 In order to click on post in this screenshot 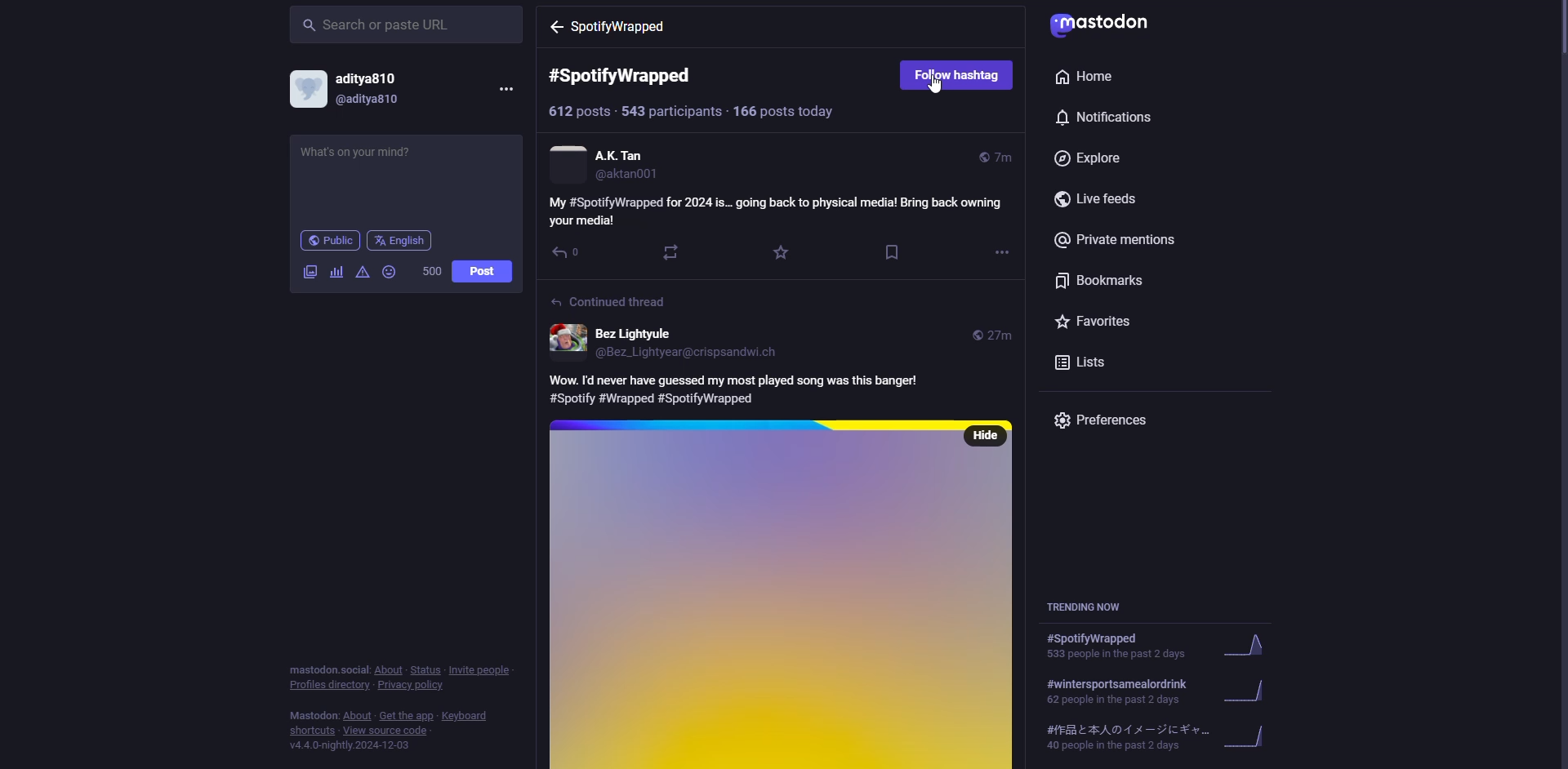, I will do `click(763, 601)`.